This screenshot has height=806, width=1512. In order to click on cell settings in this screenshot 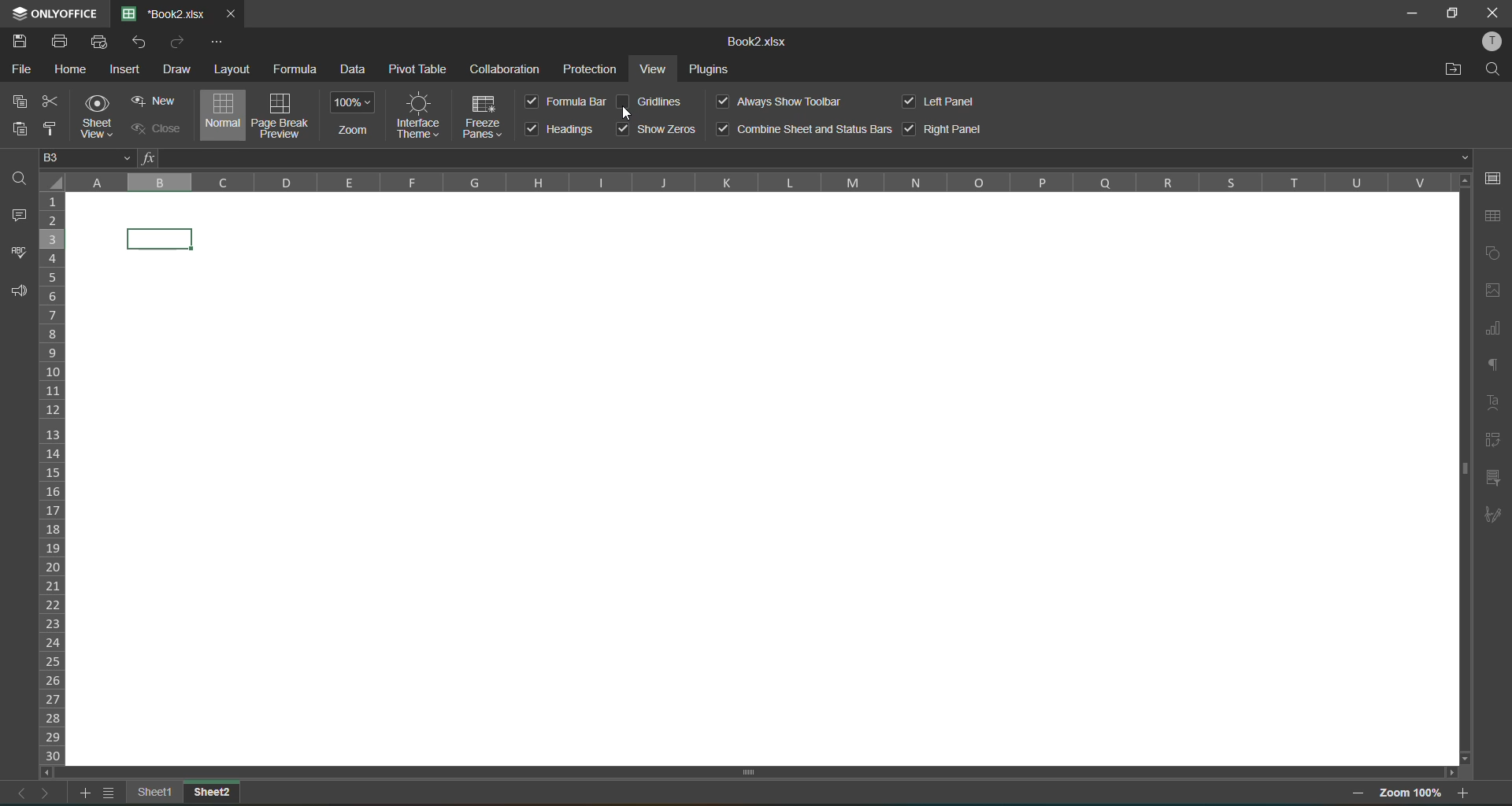, I will do `click(1497, 179)`.